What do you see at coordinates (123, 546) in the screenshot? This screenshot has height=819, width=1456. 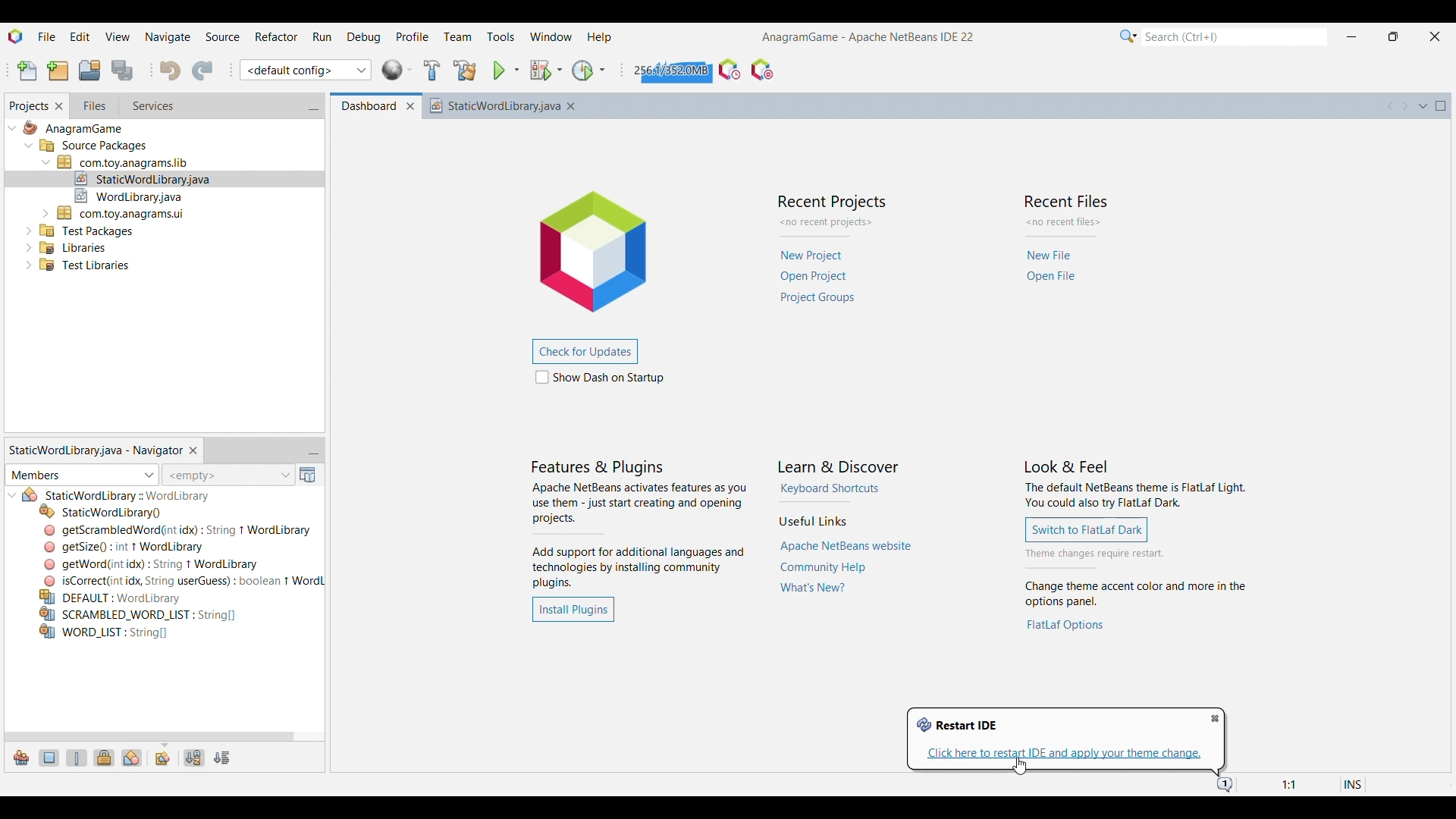 I see `` at bounding box center [123, 546].